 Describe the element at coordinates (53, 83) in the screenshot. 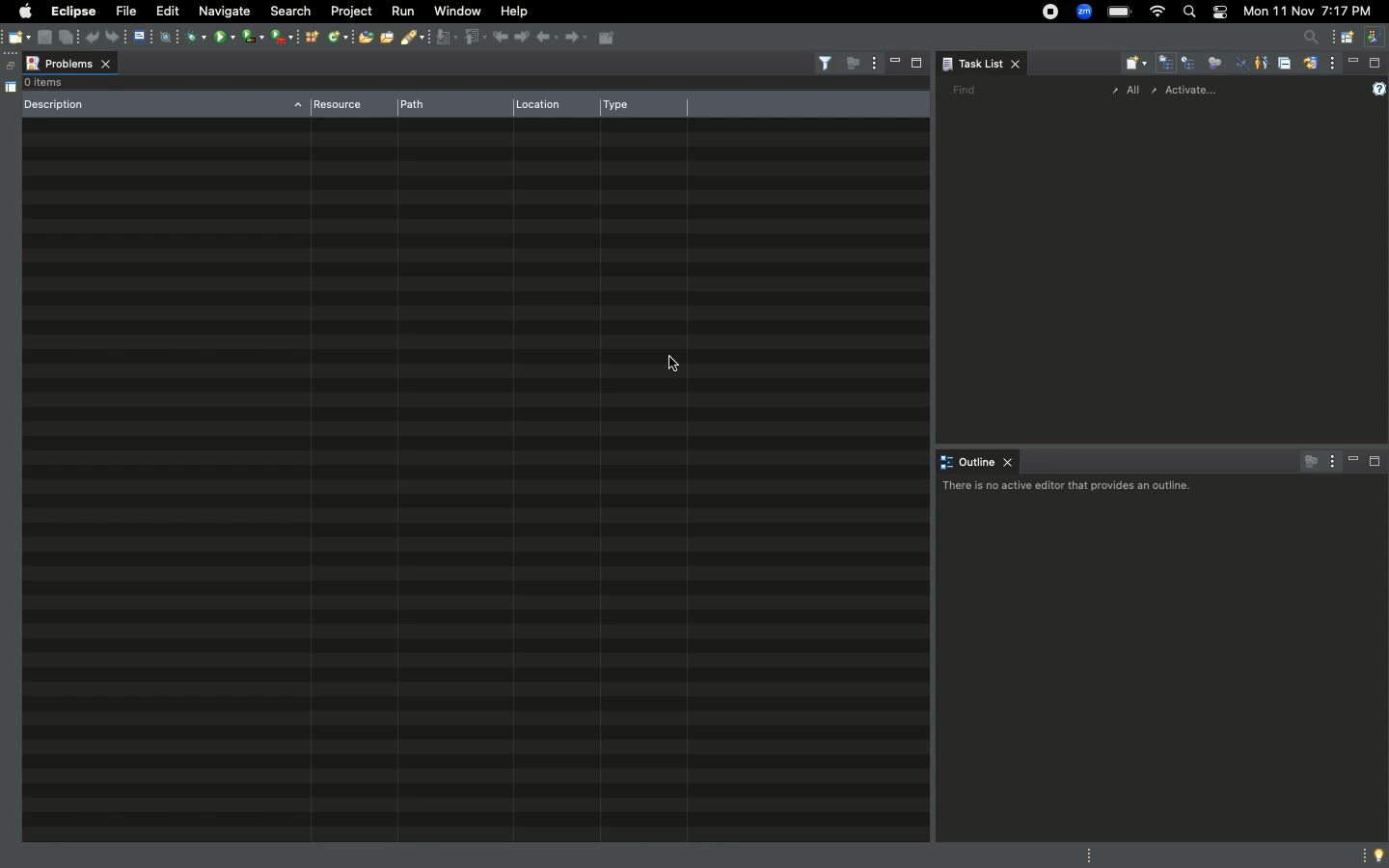

I see `0 items` at that location.